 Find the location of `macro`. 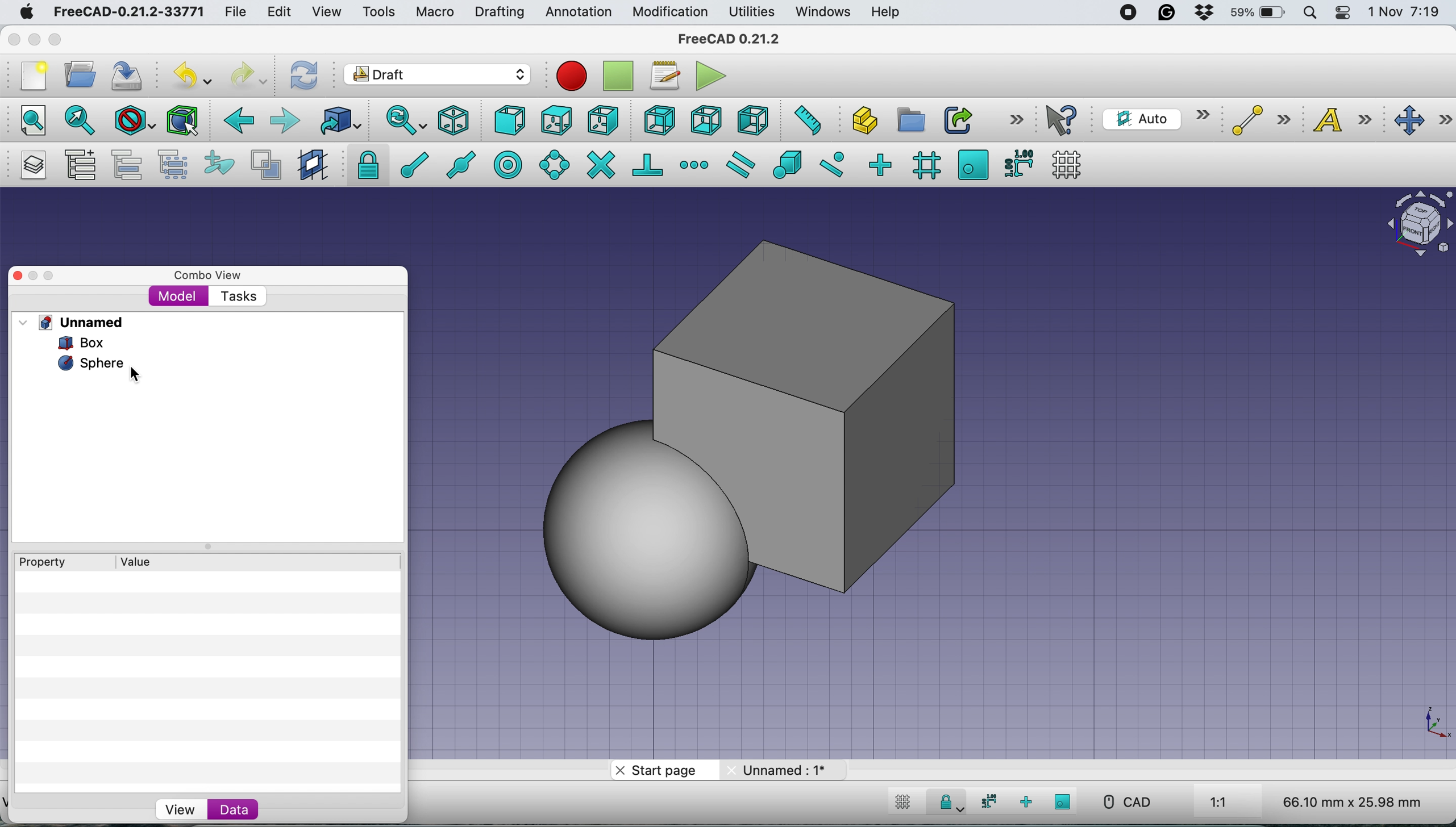

macro is located at coordinates (434, 12).